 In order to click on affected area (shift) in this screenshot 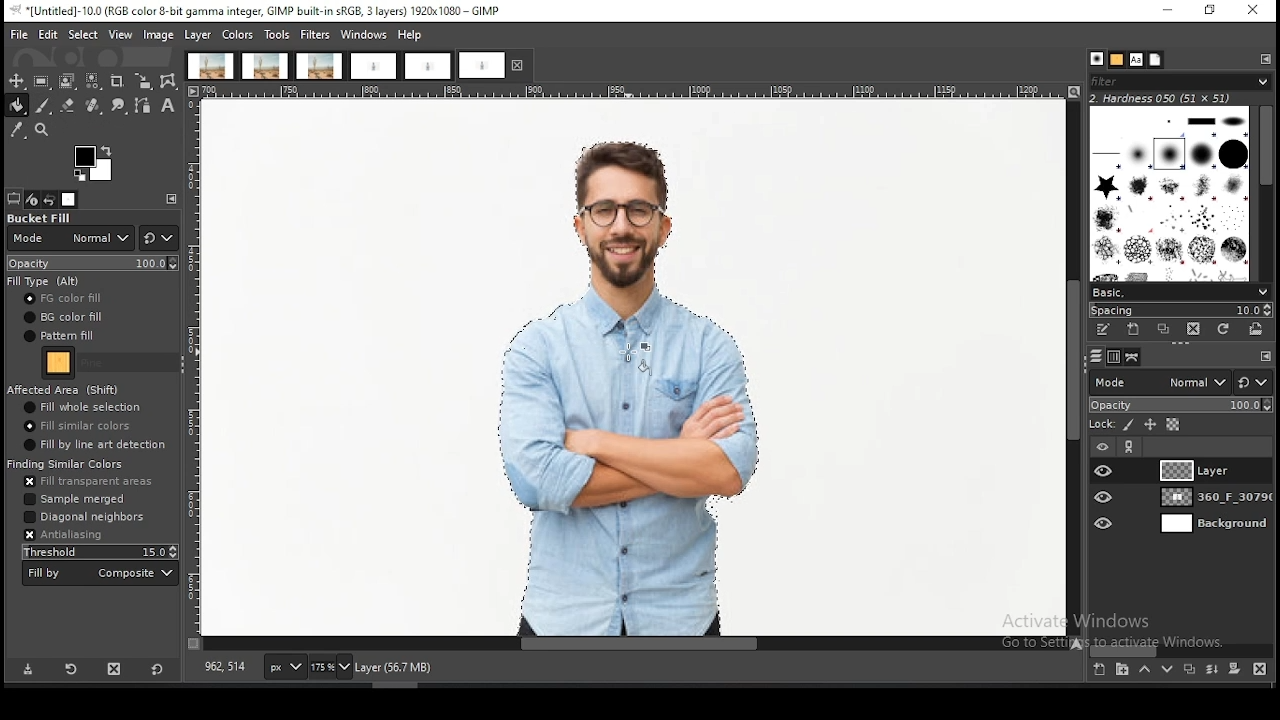, I will do `click(66, 389)`.